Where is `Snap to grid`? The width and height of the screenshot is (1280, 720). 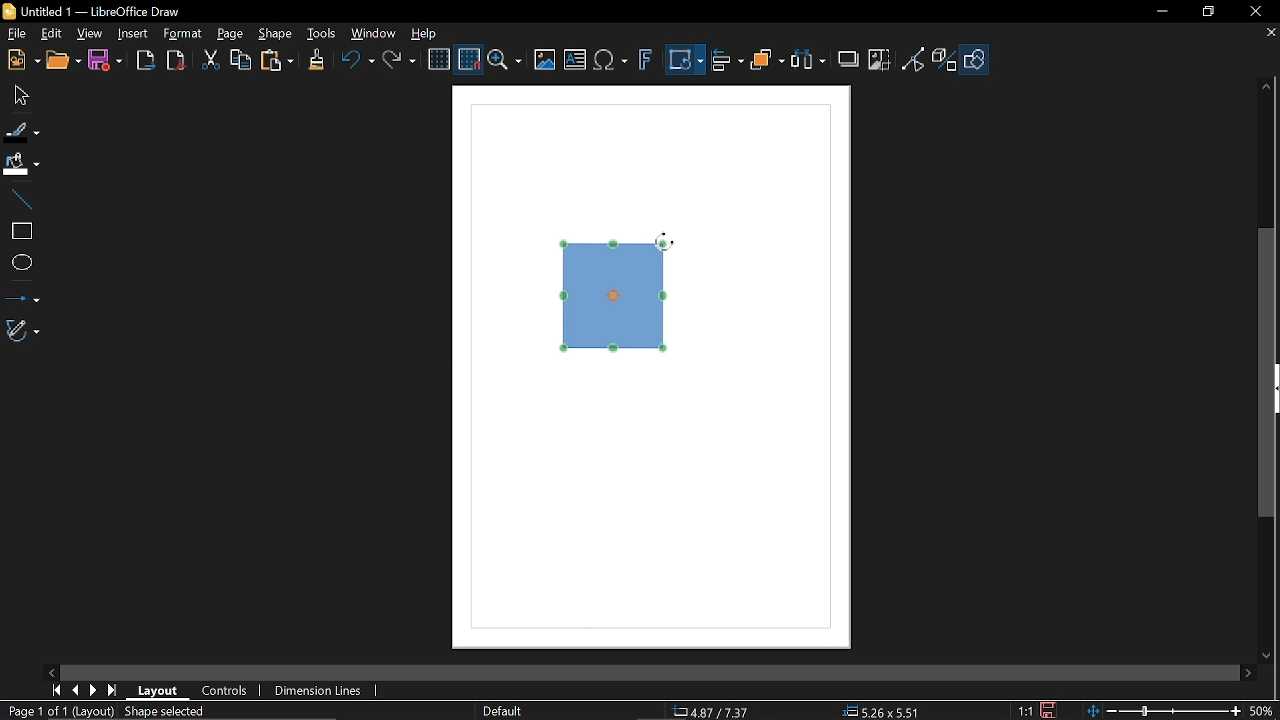
Snap to grid is located at coordinates (470, 60).